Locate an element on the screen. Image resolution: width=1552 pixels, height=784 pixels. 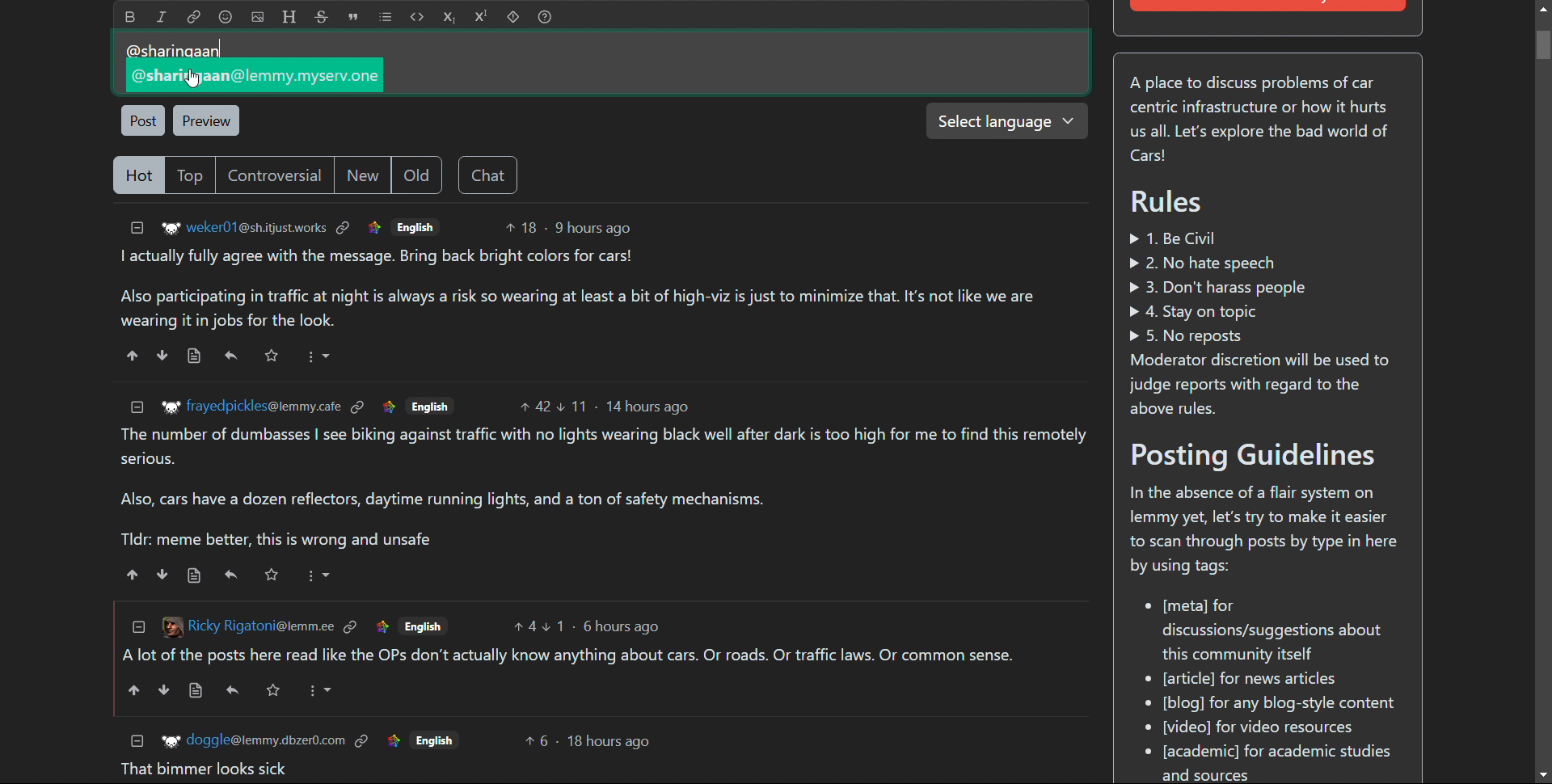
old is located at coordinates (415, 175).